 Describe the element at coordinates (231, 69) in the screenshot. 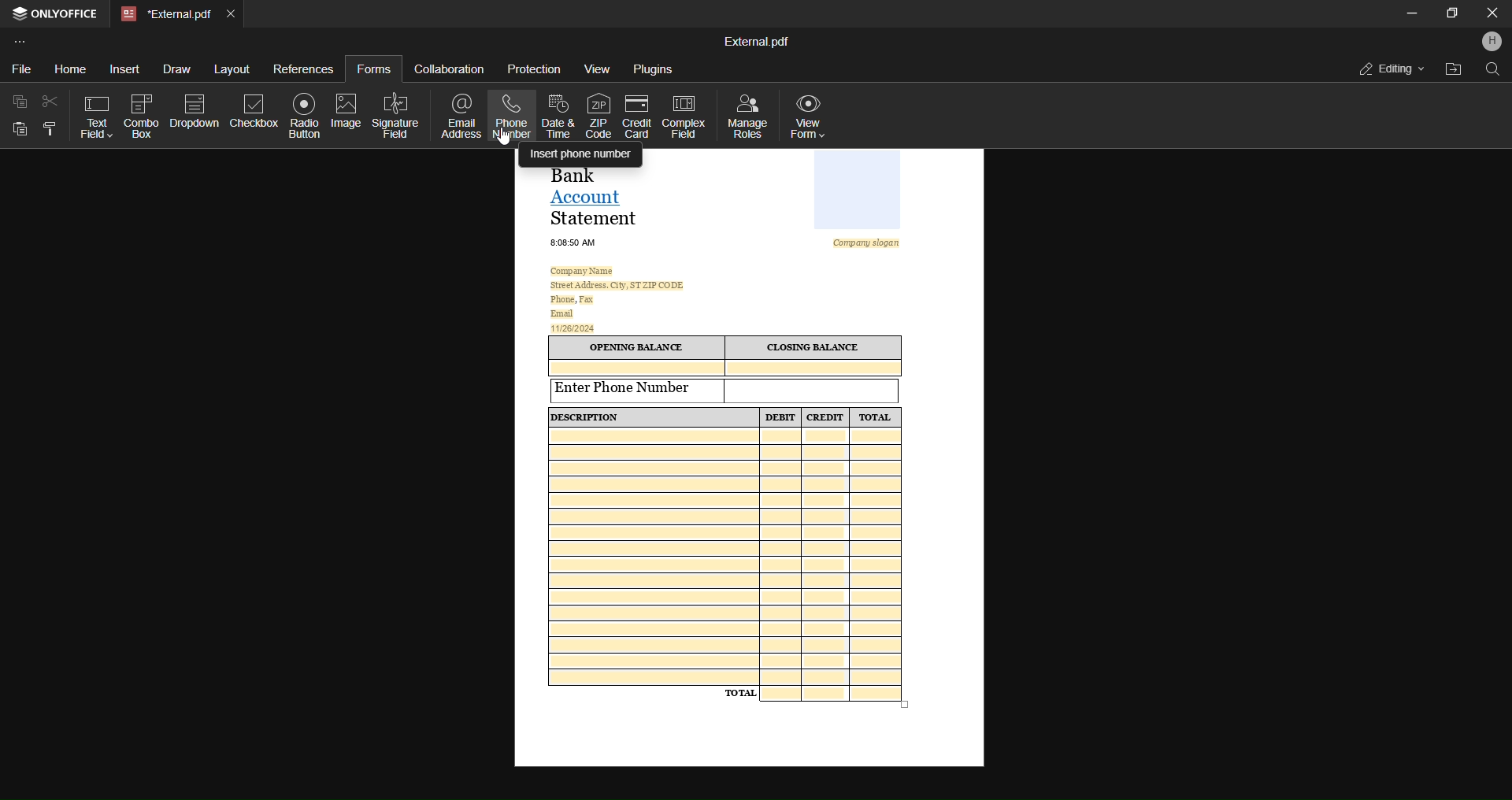

I see `layout` at that location.